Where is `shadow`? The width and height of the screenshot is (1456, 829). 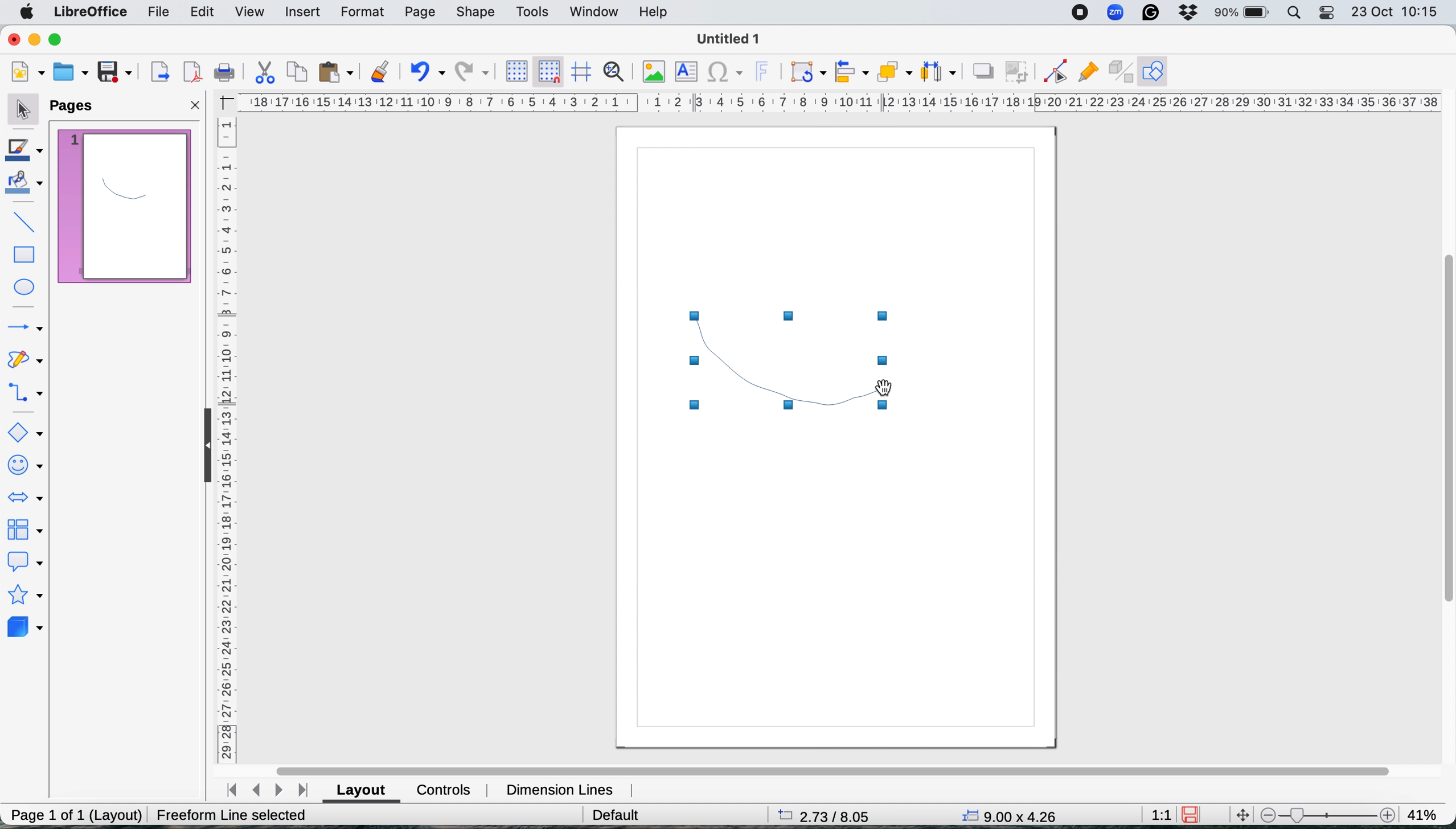
shadow is located at coordinates (984, 72).